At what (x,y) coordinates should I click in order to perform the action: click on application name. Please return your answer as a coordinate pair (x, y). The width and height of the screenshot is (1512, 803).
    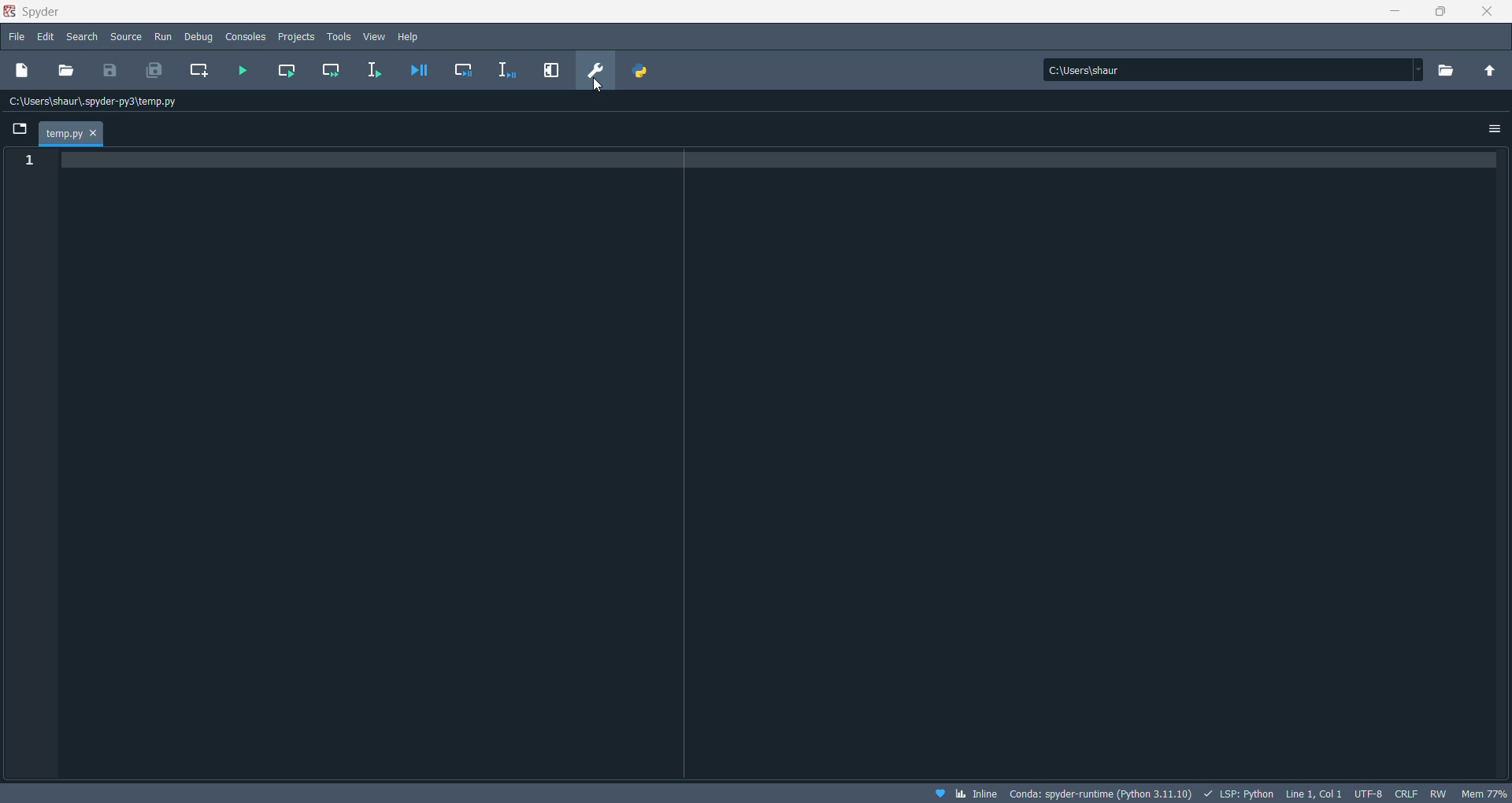
    Looking at the image, I should click on (40, 12).